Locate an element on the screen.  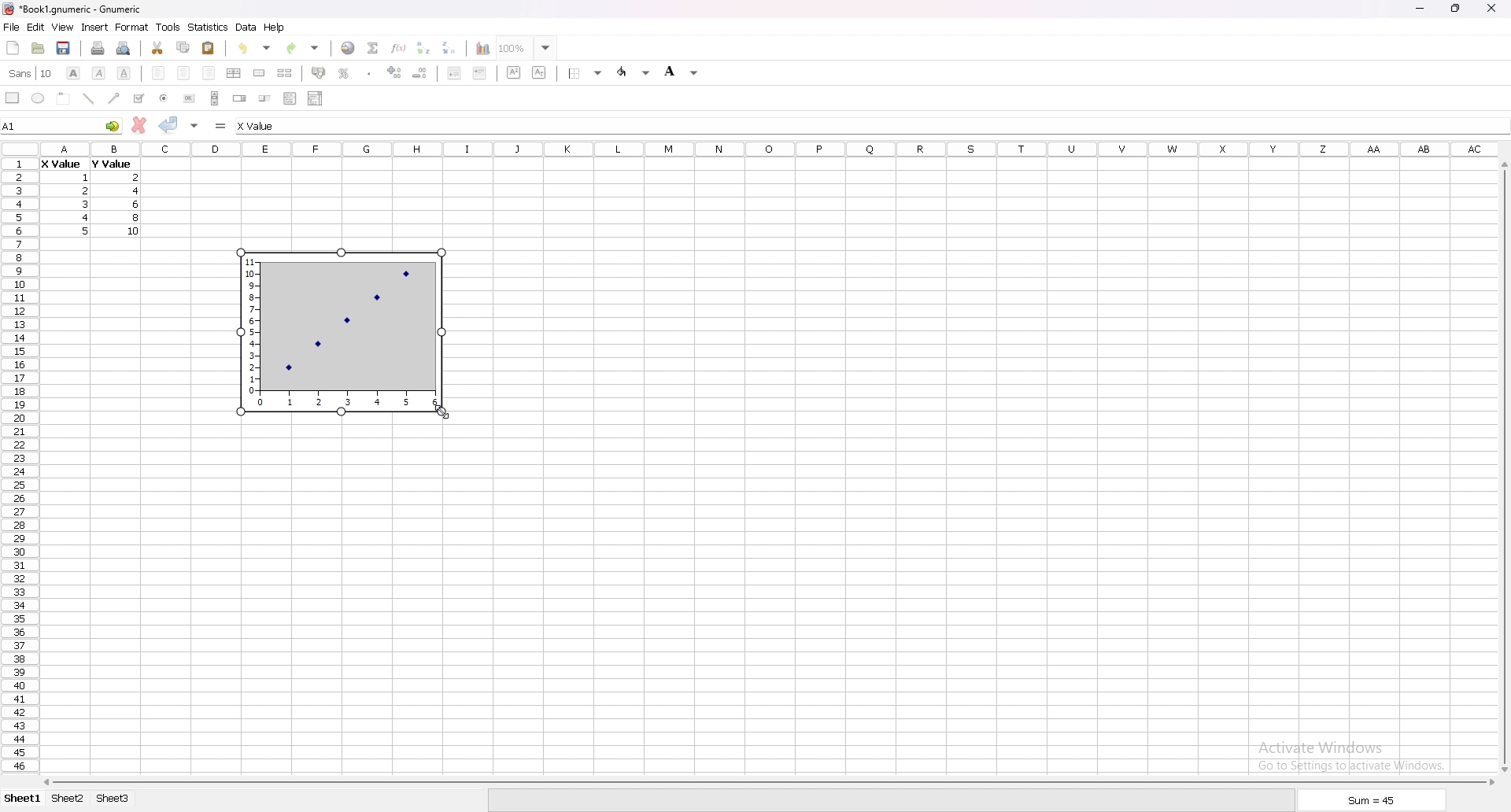
frame is located at coordinates (64, 98).